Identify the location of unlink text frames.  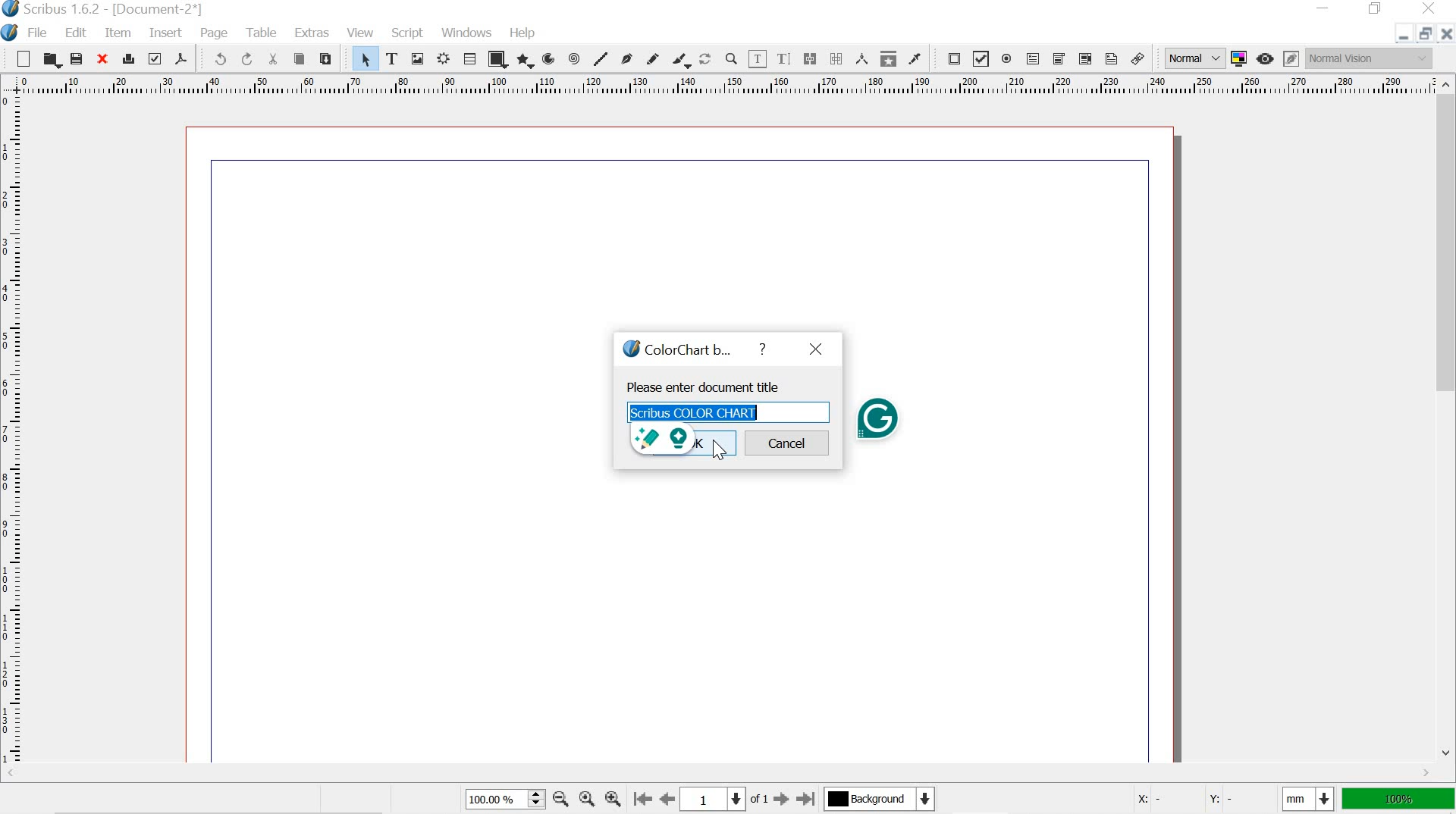
(836, 58).